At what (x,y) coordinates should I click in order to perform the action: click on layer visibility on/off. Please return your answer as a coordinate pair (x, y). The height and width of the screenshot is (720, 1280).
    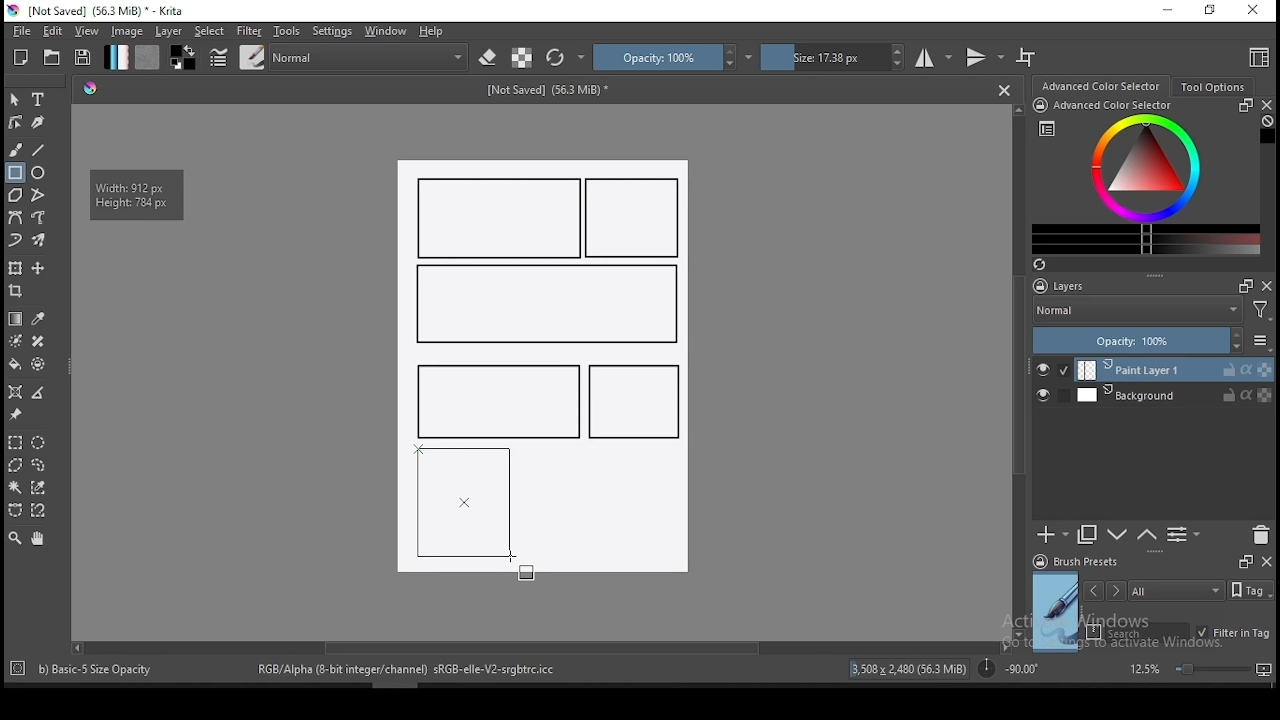
    Looking at the image, I should click on (1048, 397).